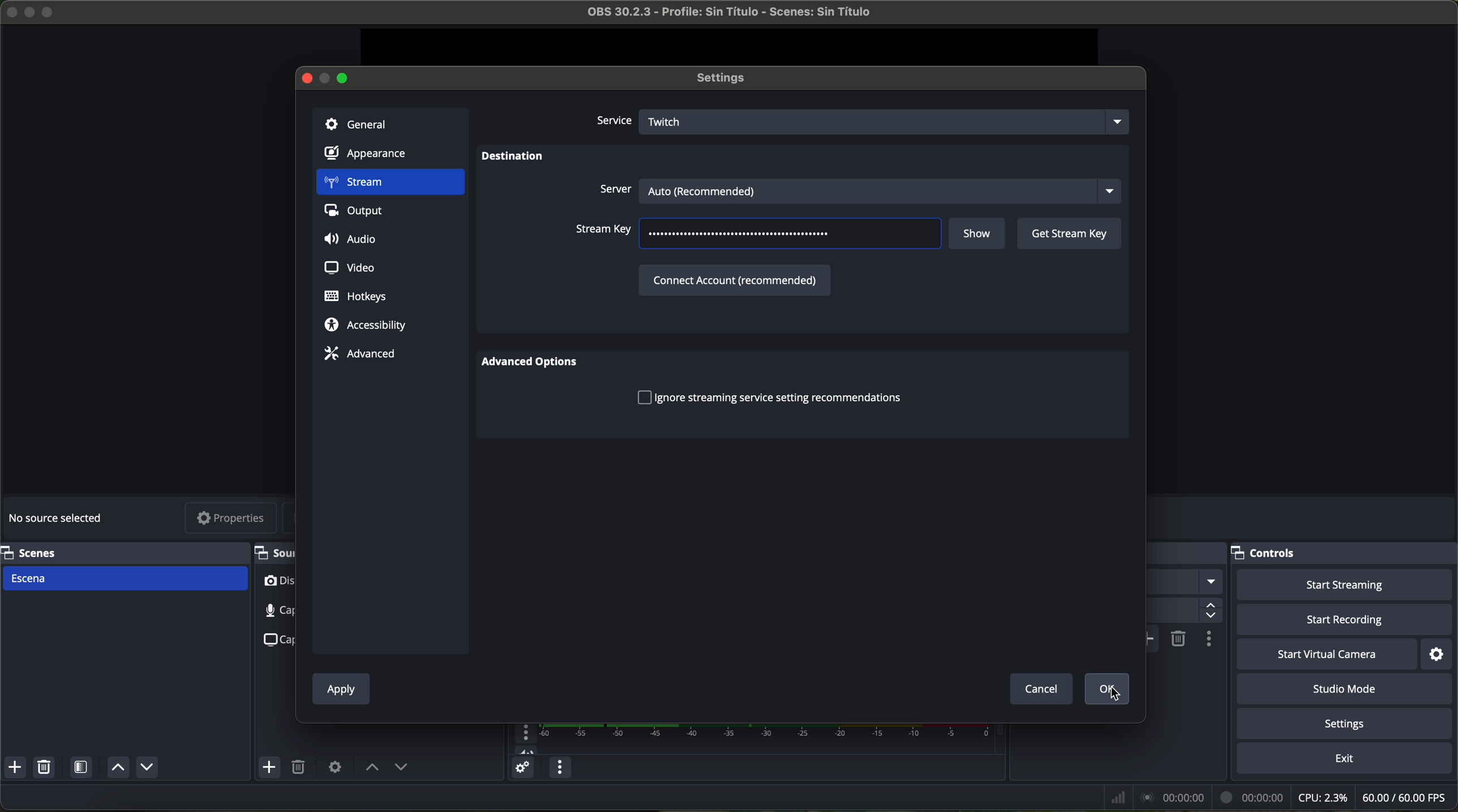 The width and height of the screenshot is (1458, 812). I want to click on advanced audio properties, so click(522, 770).